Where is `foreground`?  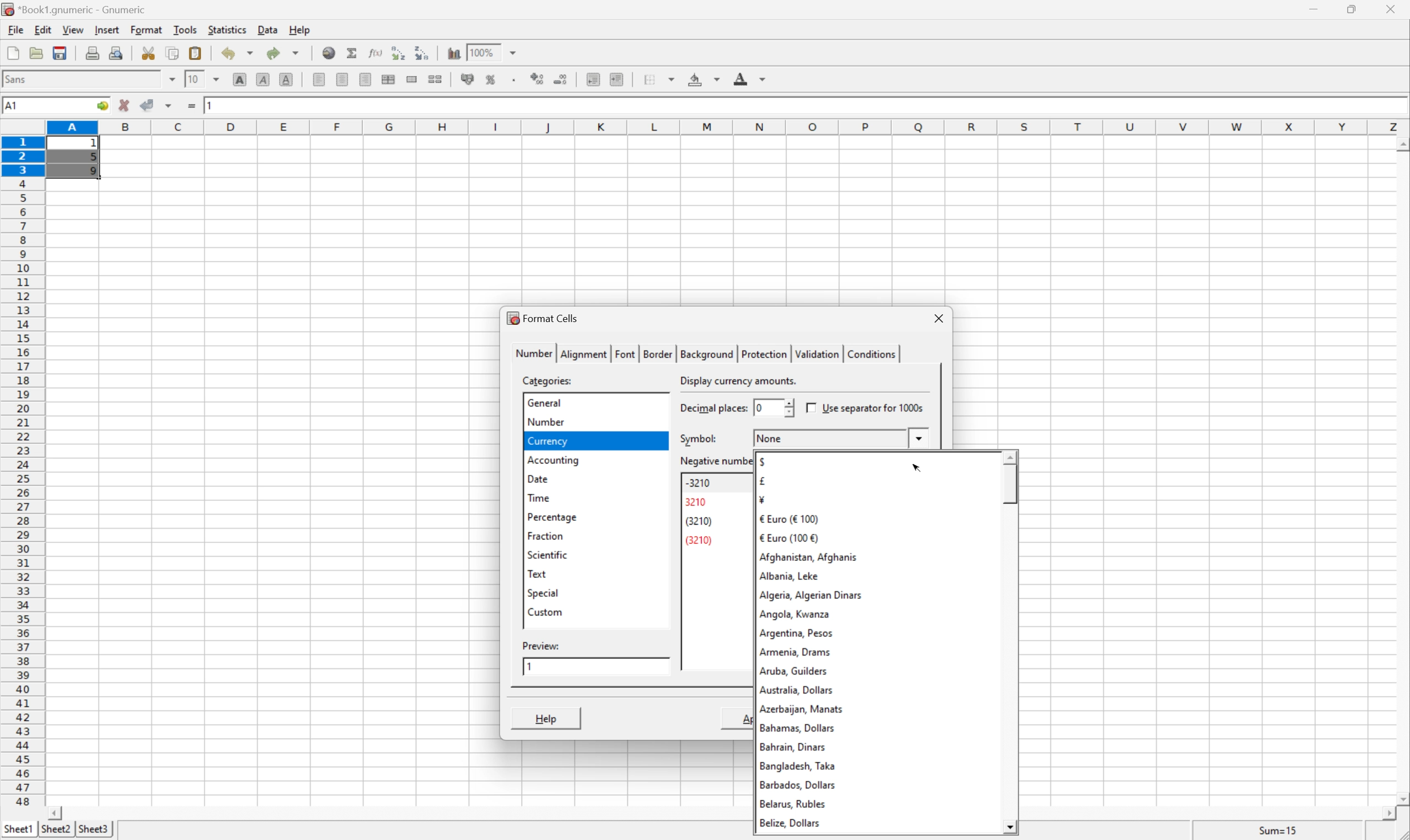 foreground is located at coordinates (748, 77).